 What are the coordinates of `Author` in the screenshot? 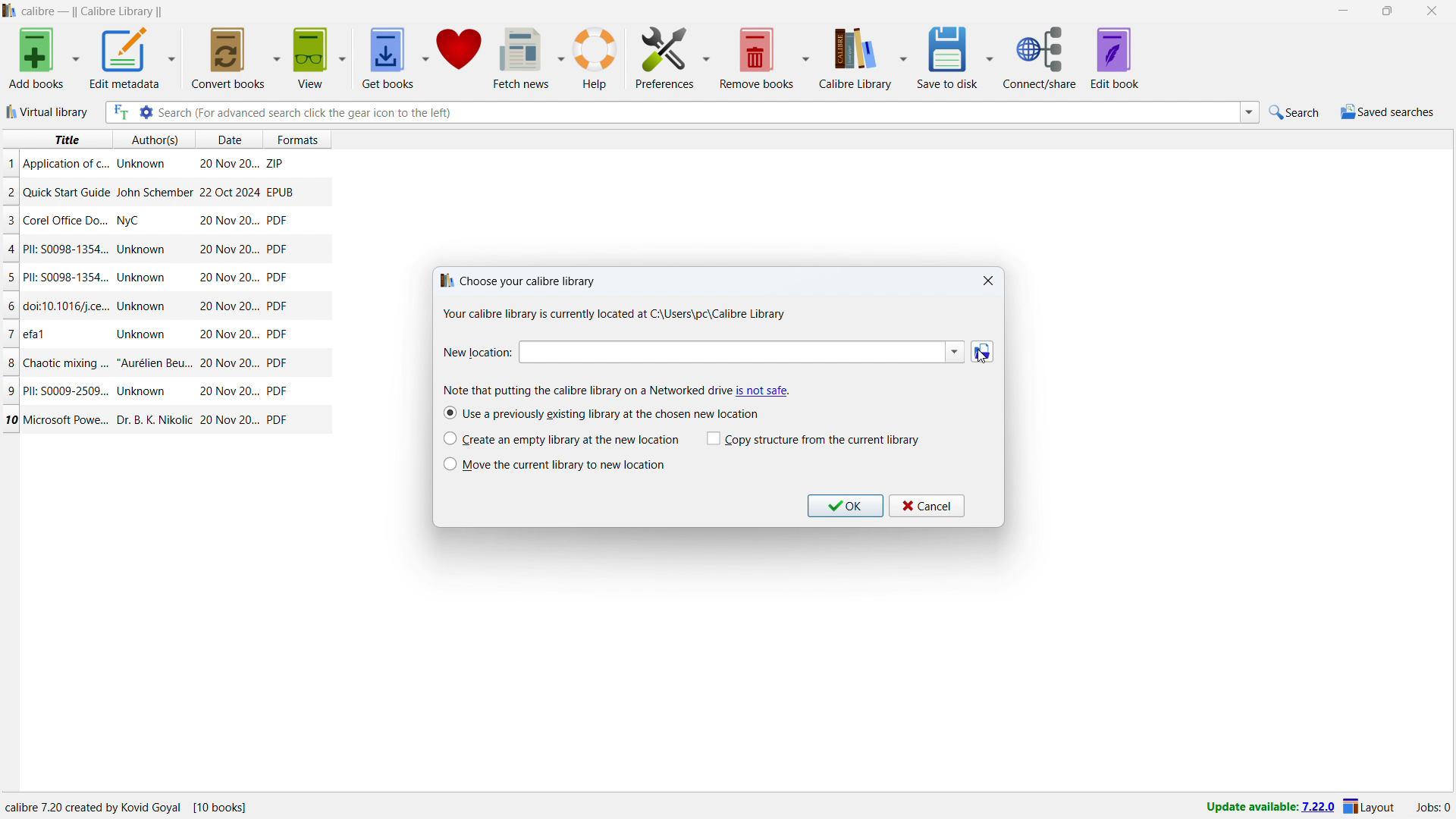 It's located at (144, 306).